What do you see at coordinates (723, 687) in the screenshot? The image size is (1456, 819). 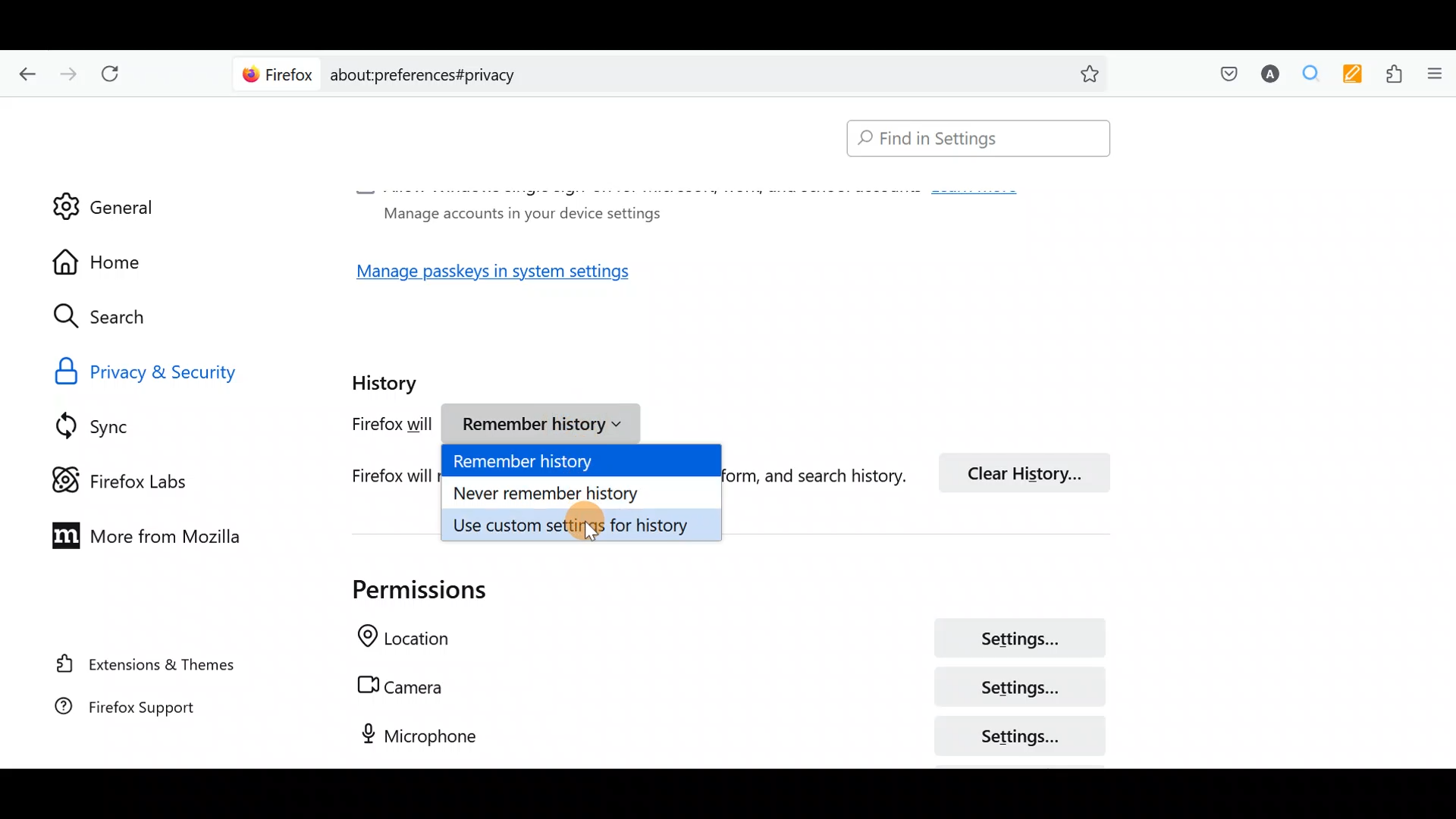 I see `Camera settings` at bounding box center [723, 687].